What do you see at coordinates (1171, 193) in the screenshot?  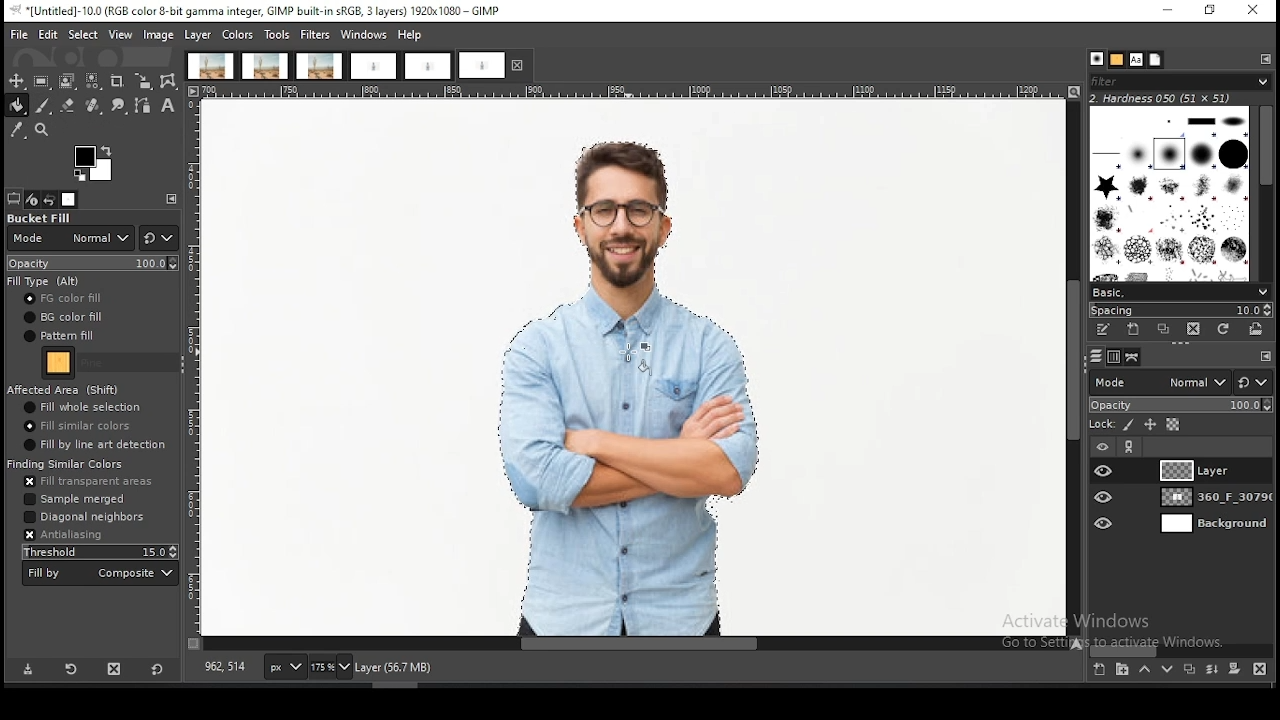 I see `brushes` at bounding box center [1171, 193].